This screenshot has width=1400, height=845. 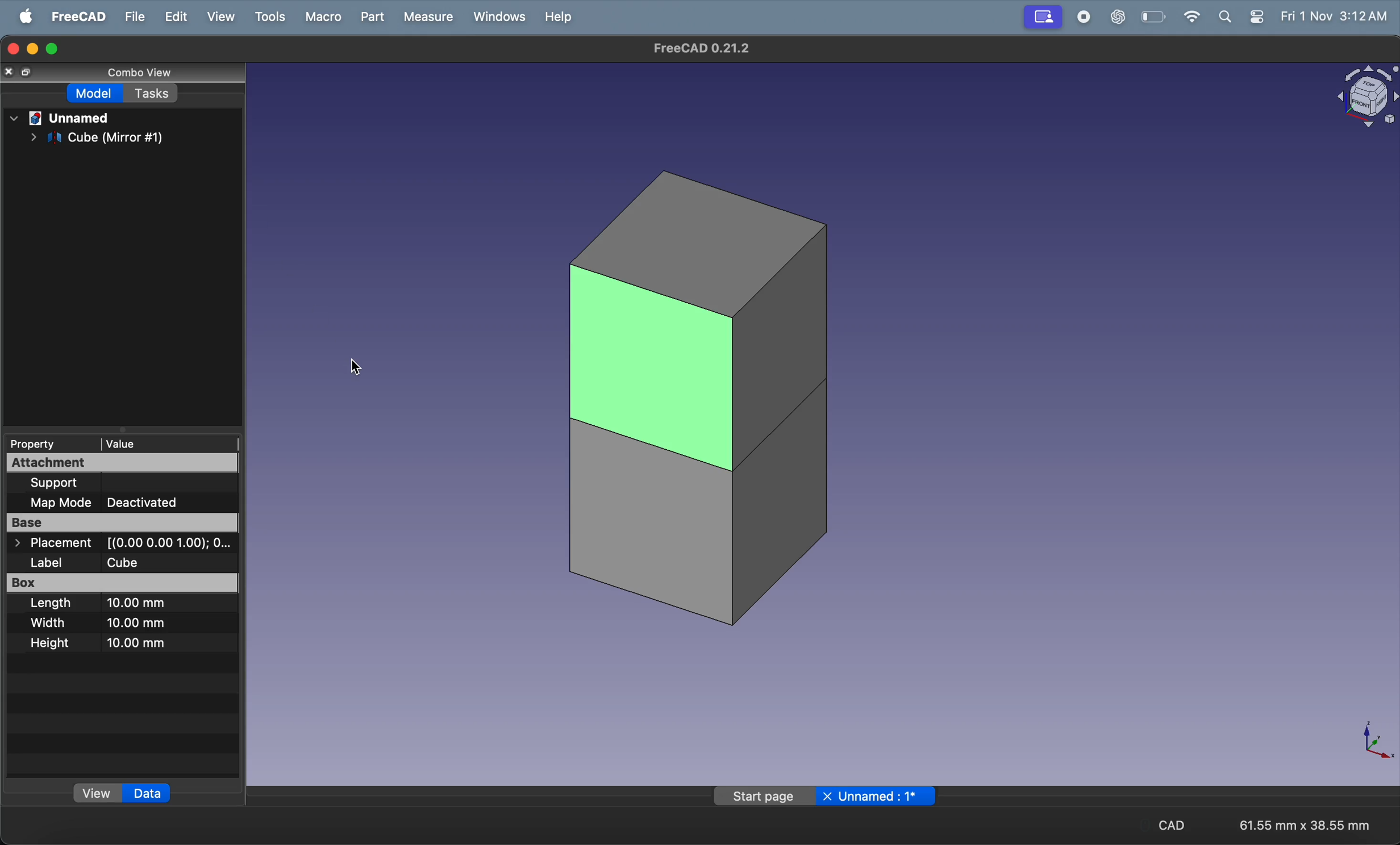 What do you see at coordinates (1254, 17) in the screenshot?
I see `settings` at bounding box center [1254, 17].